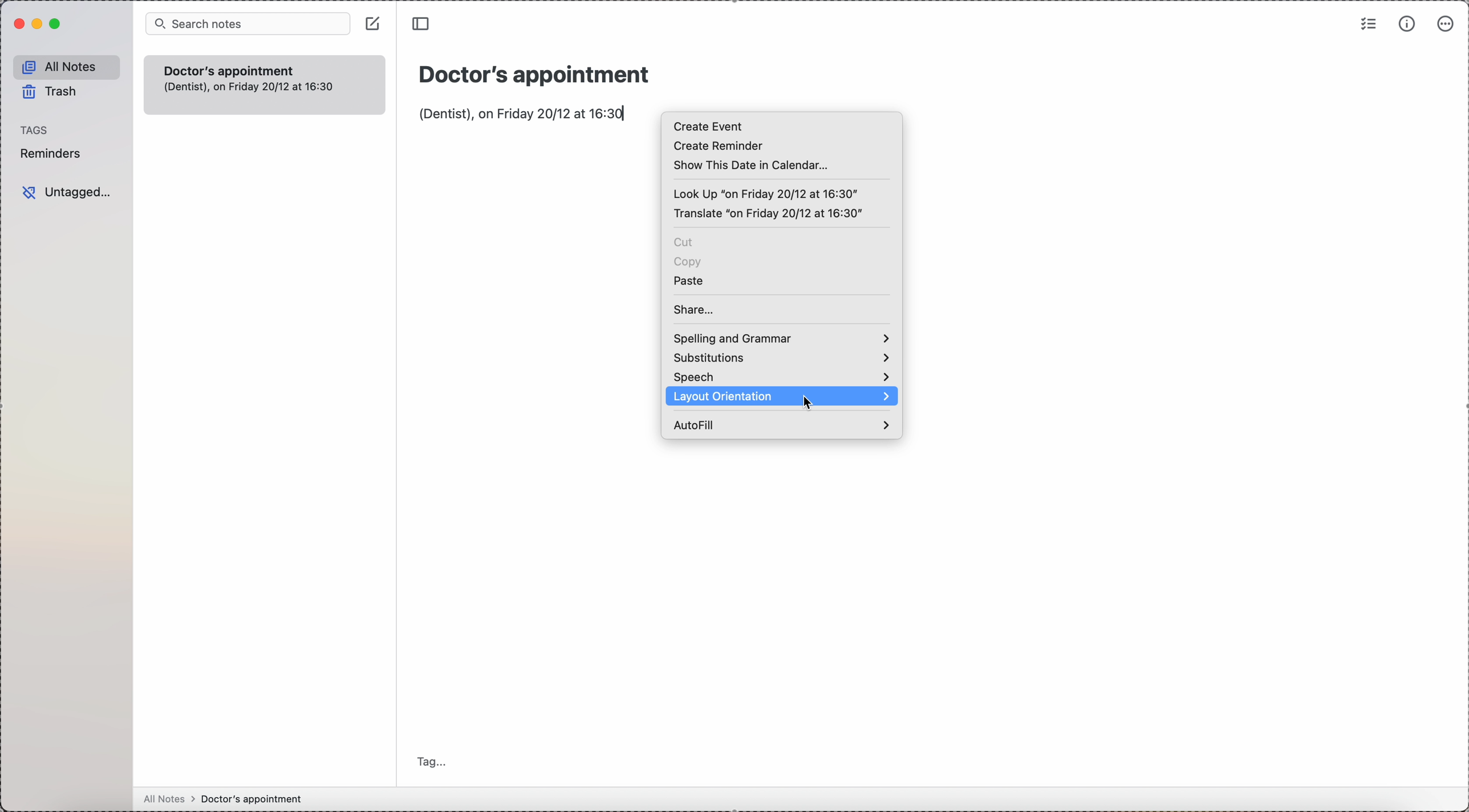 The width and height of the screenshot is (1469, 812). What do you see at coordinates (223, 798) in the screenshot?
I see `all notes > doctor's appointment` at bounding box center [223, 798].